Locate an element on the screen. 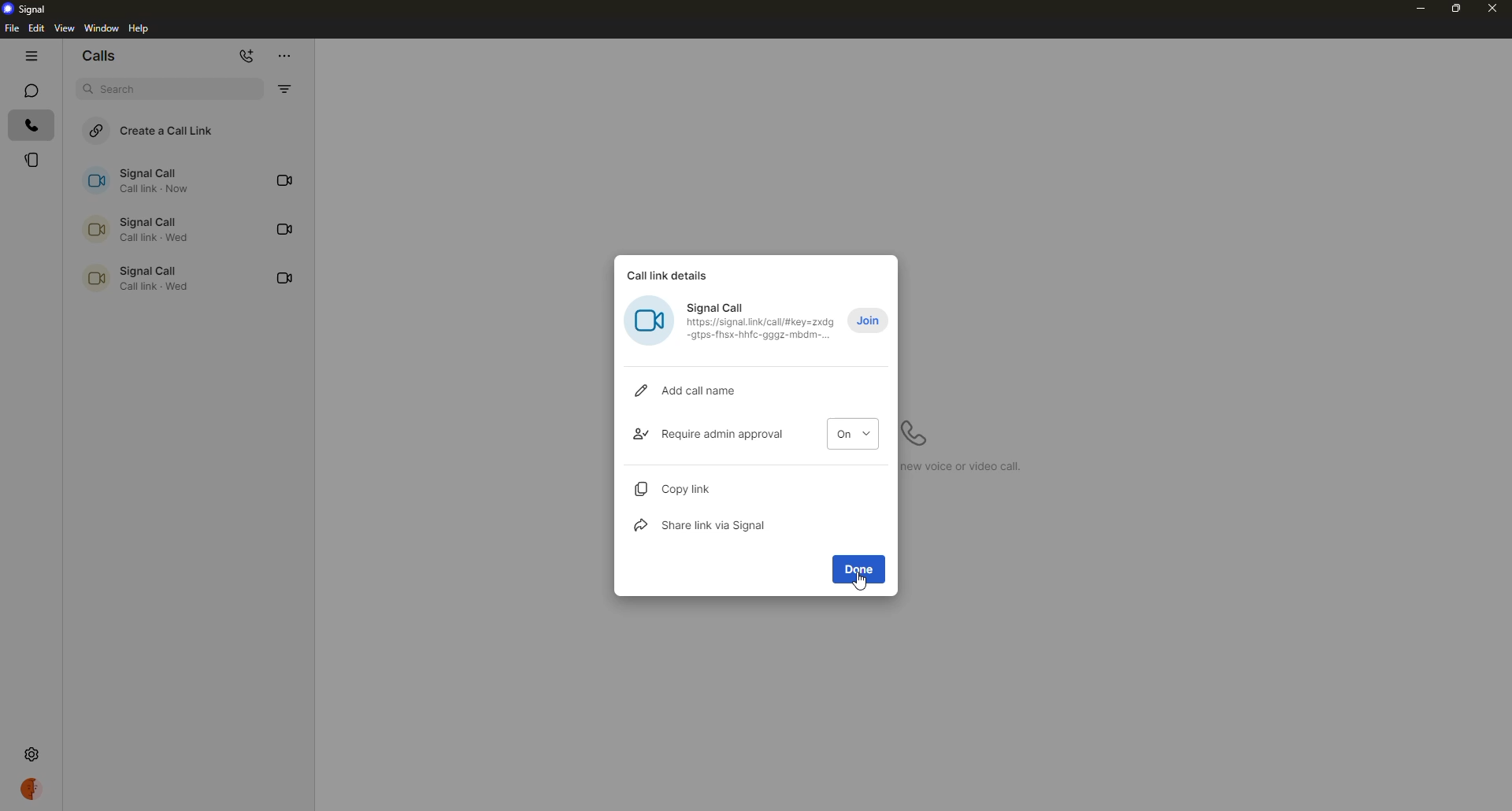 The height and width of the screenshot is (811, 1512). profile is located at coordinates (31, 791).